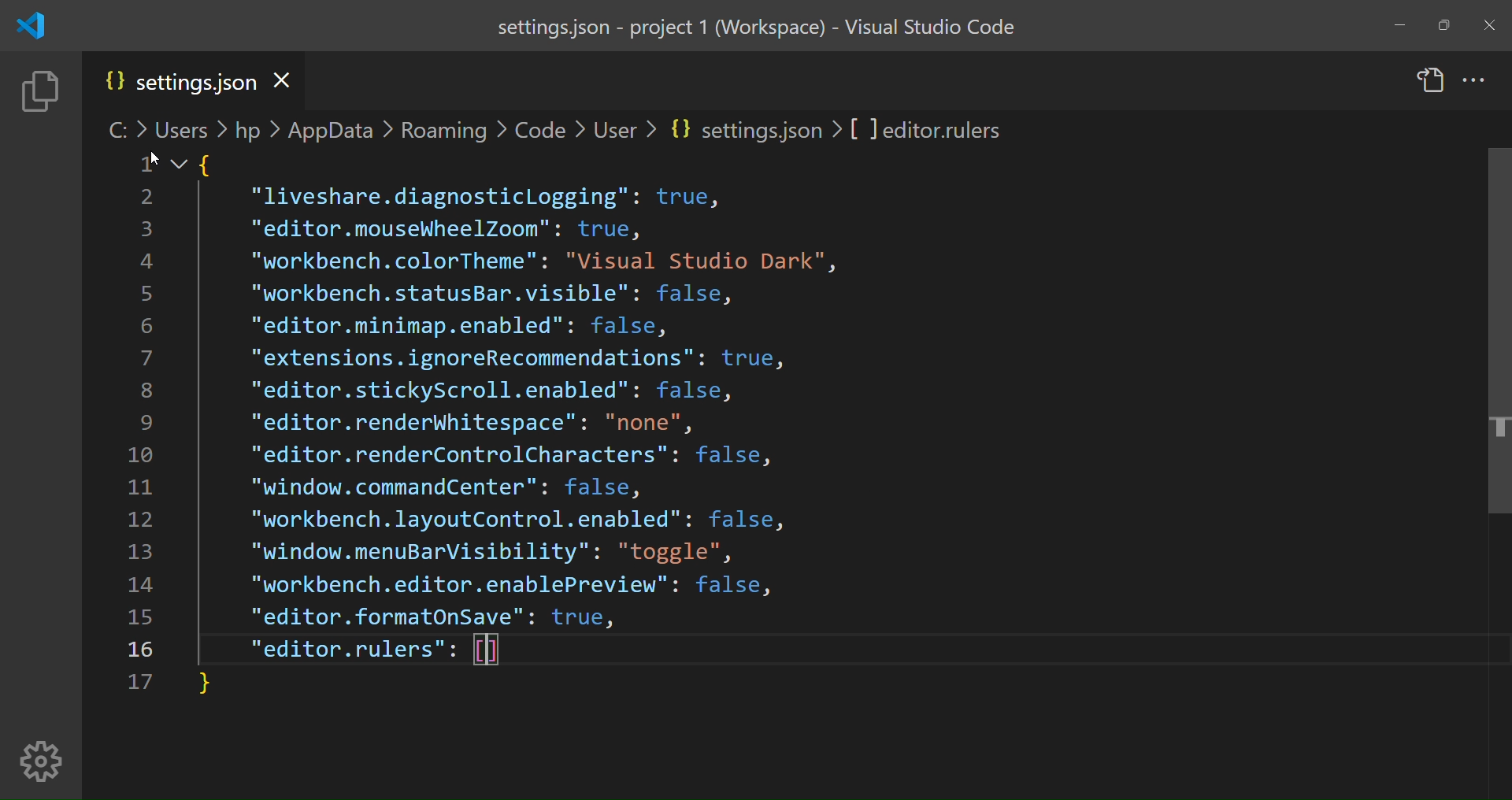 Image resolution: width=1512 pixels, height=800 pixels. I want to click on explorer, so click(38, 93).